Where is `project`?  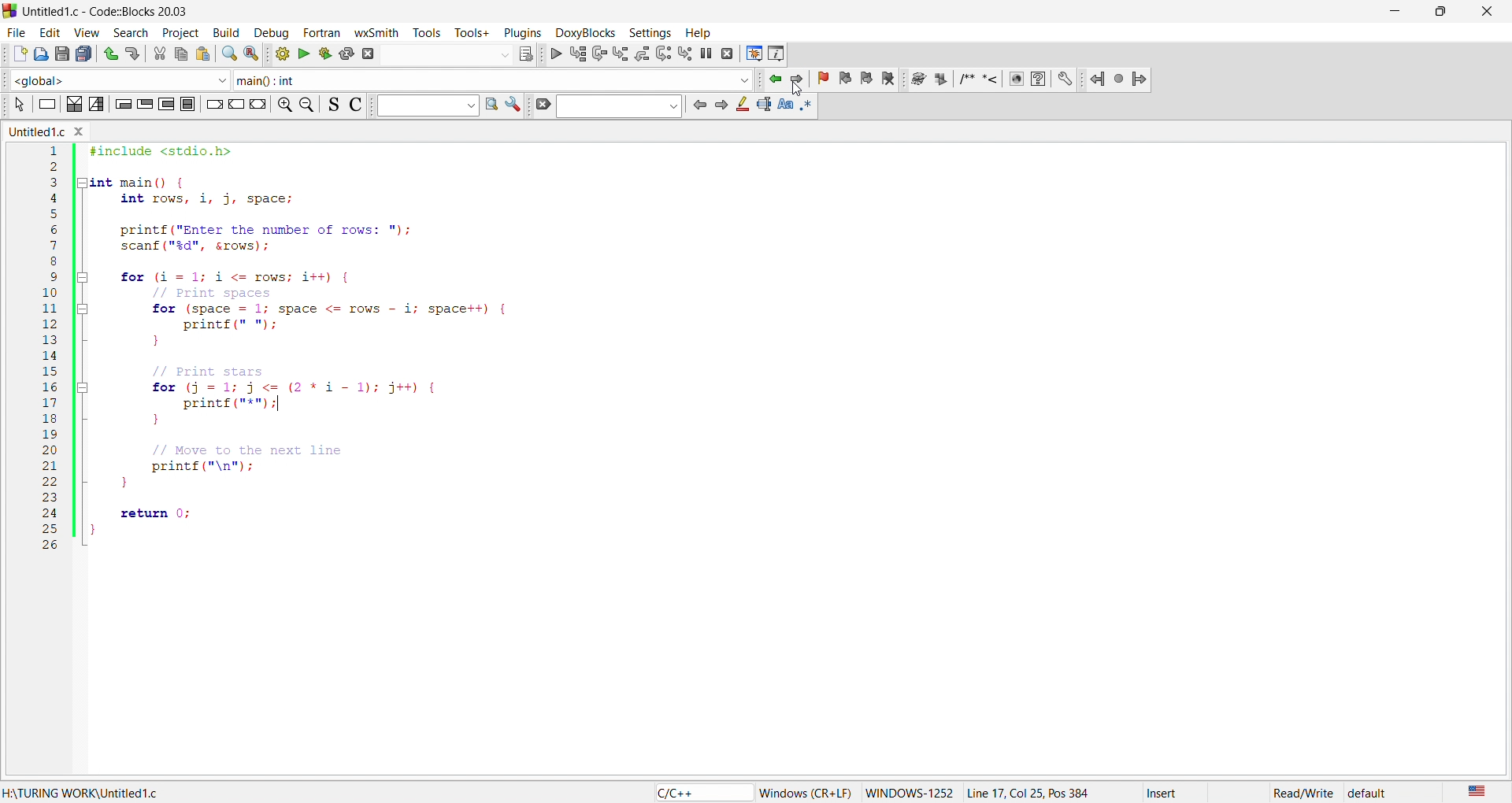 project is located at coordinates (176, 30).